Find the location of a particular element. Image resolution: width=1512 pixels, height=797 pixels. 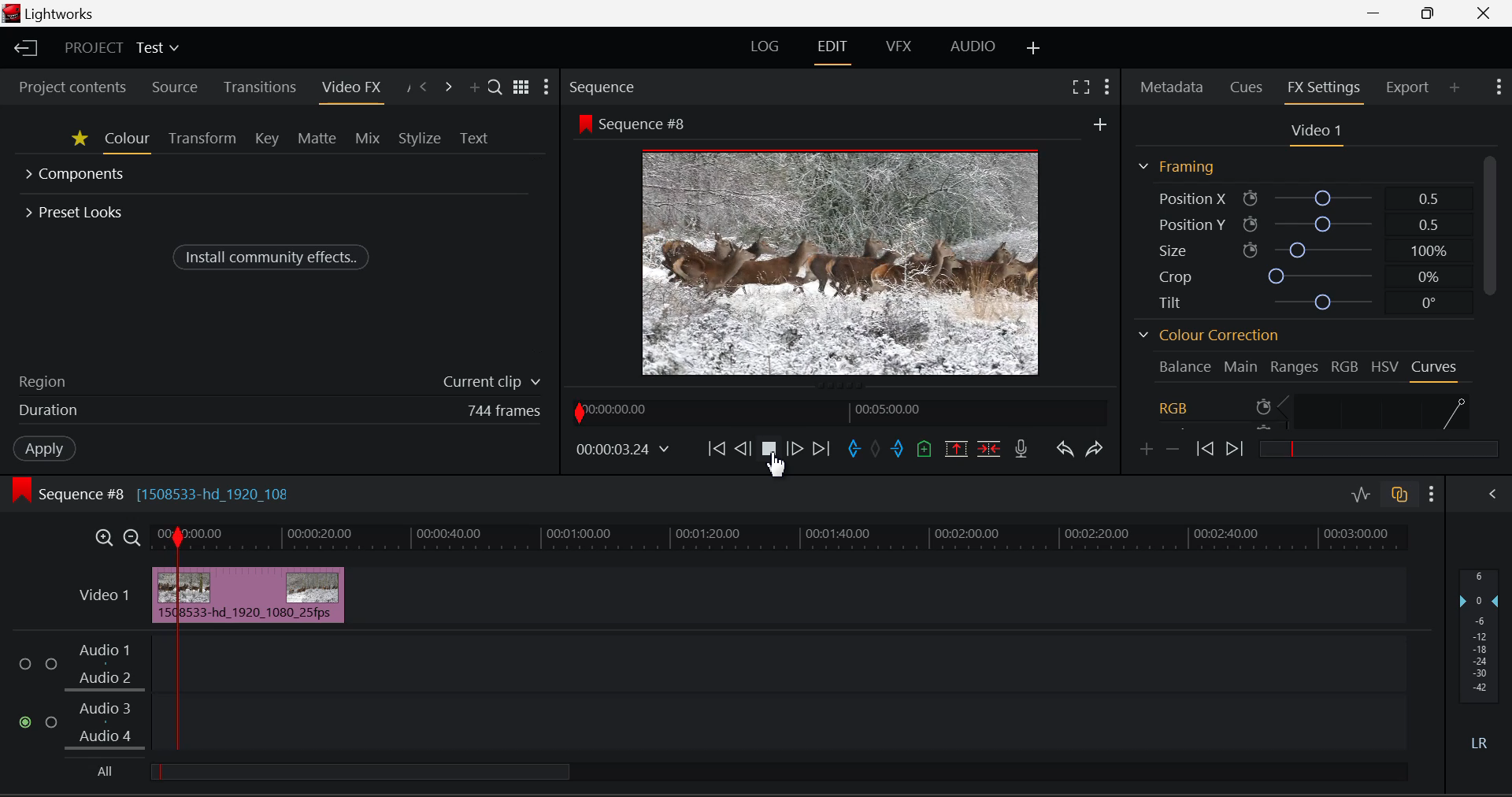

Project Timeline Tracks is located at coordinates (780, 539).